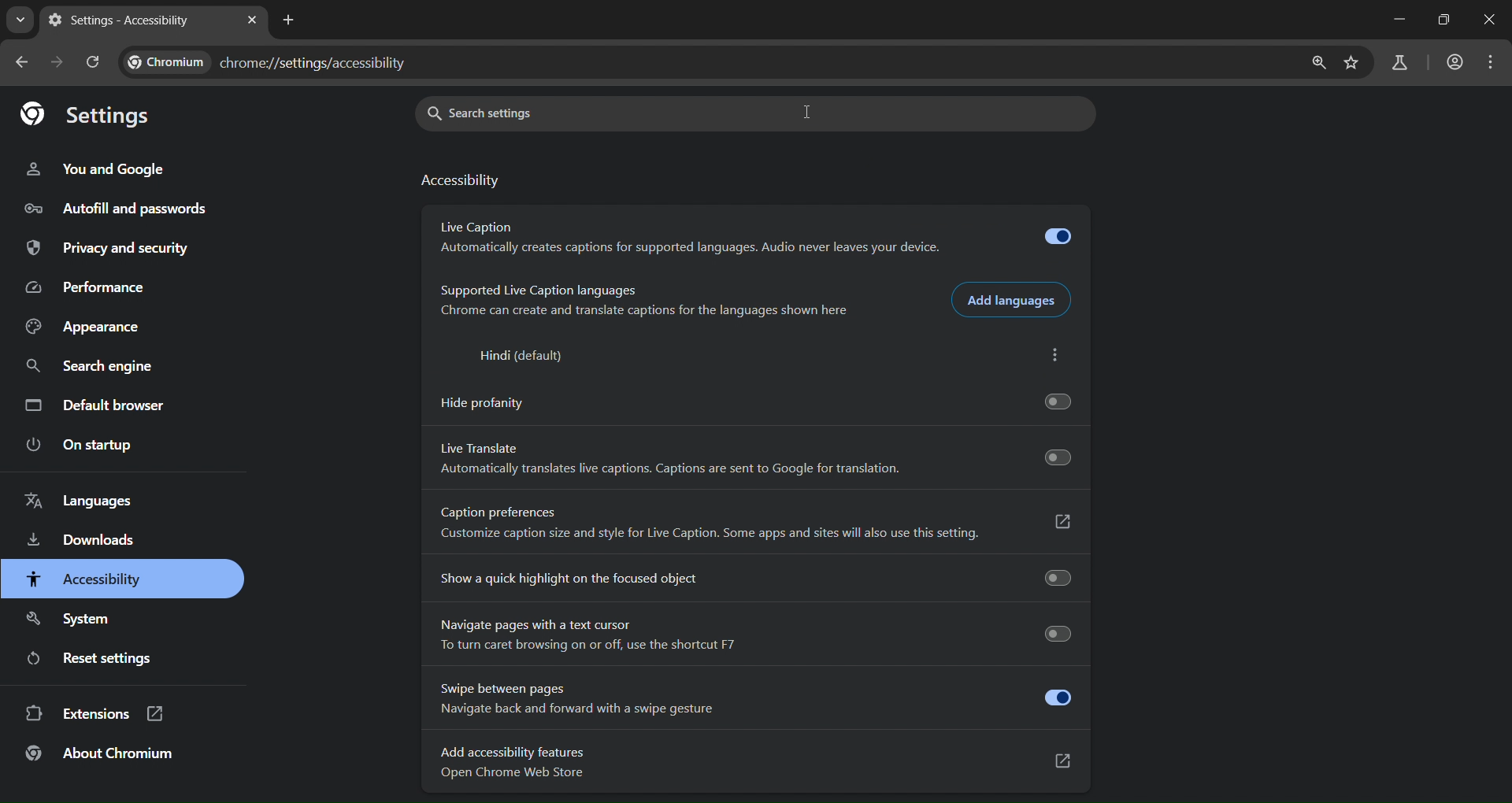  What do you see at coordinates (517, 357) in the screenshot?
I see `Hindi (default)` at bounding box center [517, 357].